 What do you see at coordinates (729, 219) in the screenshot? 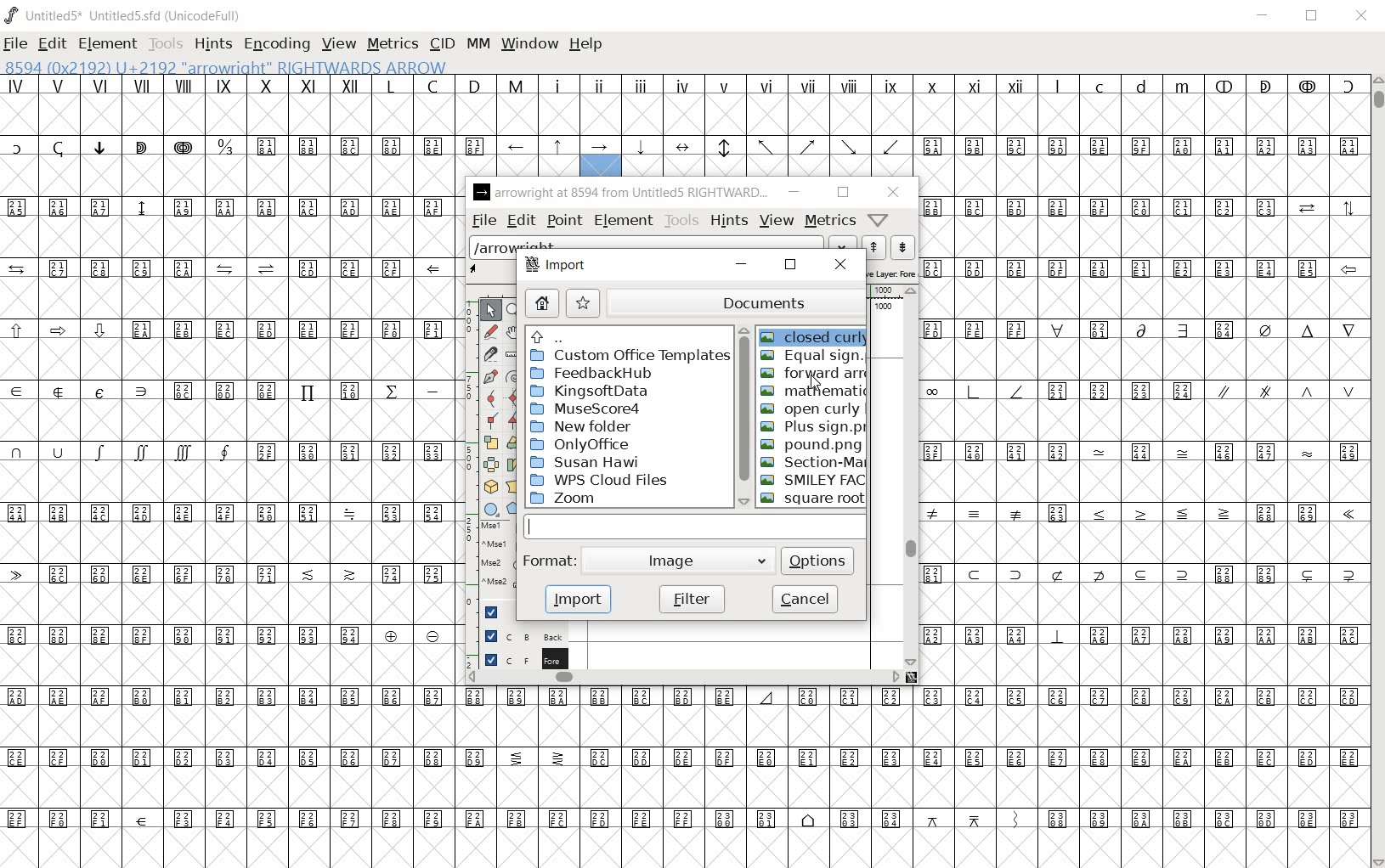
I see `hints` at bounding box center [729, 219].